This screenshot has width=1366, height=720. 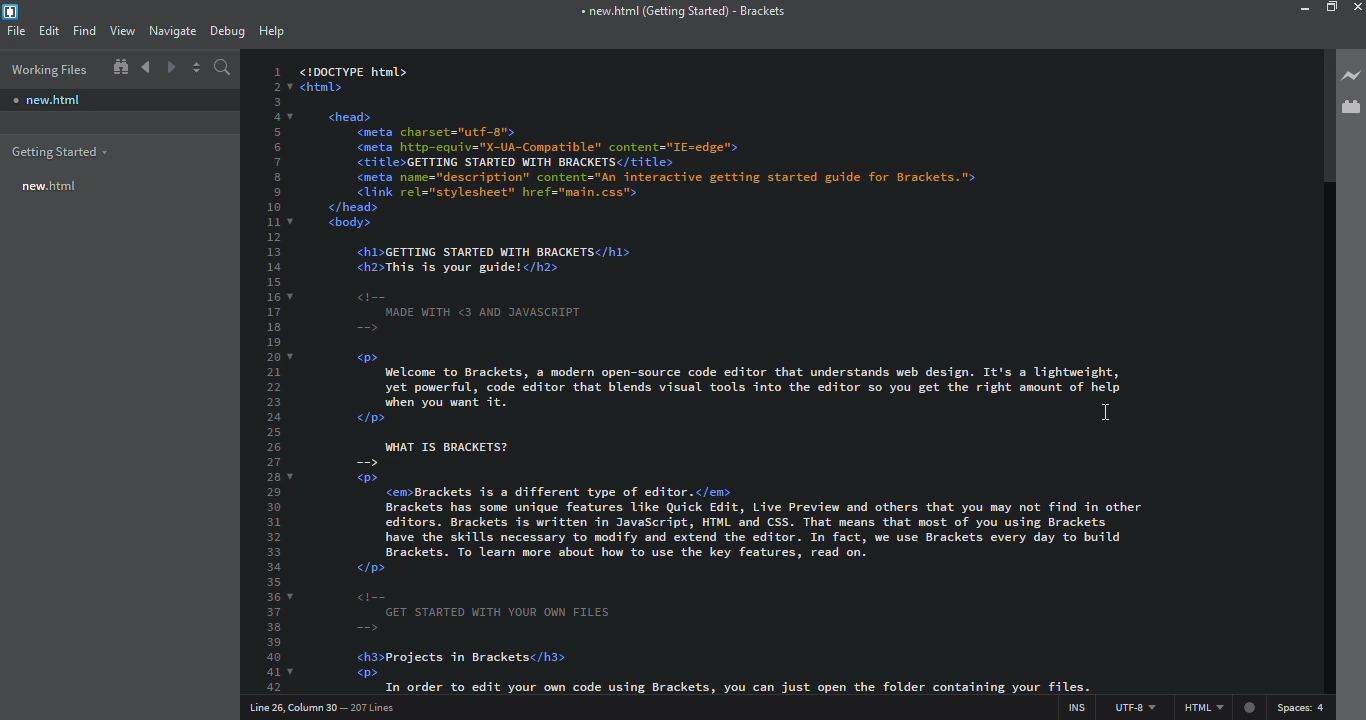 What do you see at coordinates (1219, 708) in the screenshot?
I see `html` at bounding box center [1219, 708].